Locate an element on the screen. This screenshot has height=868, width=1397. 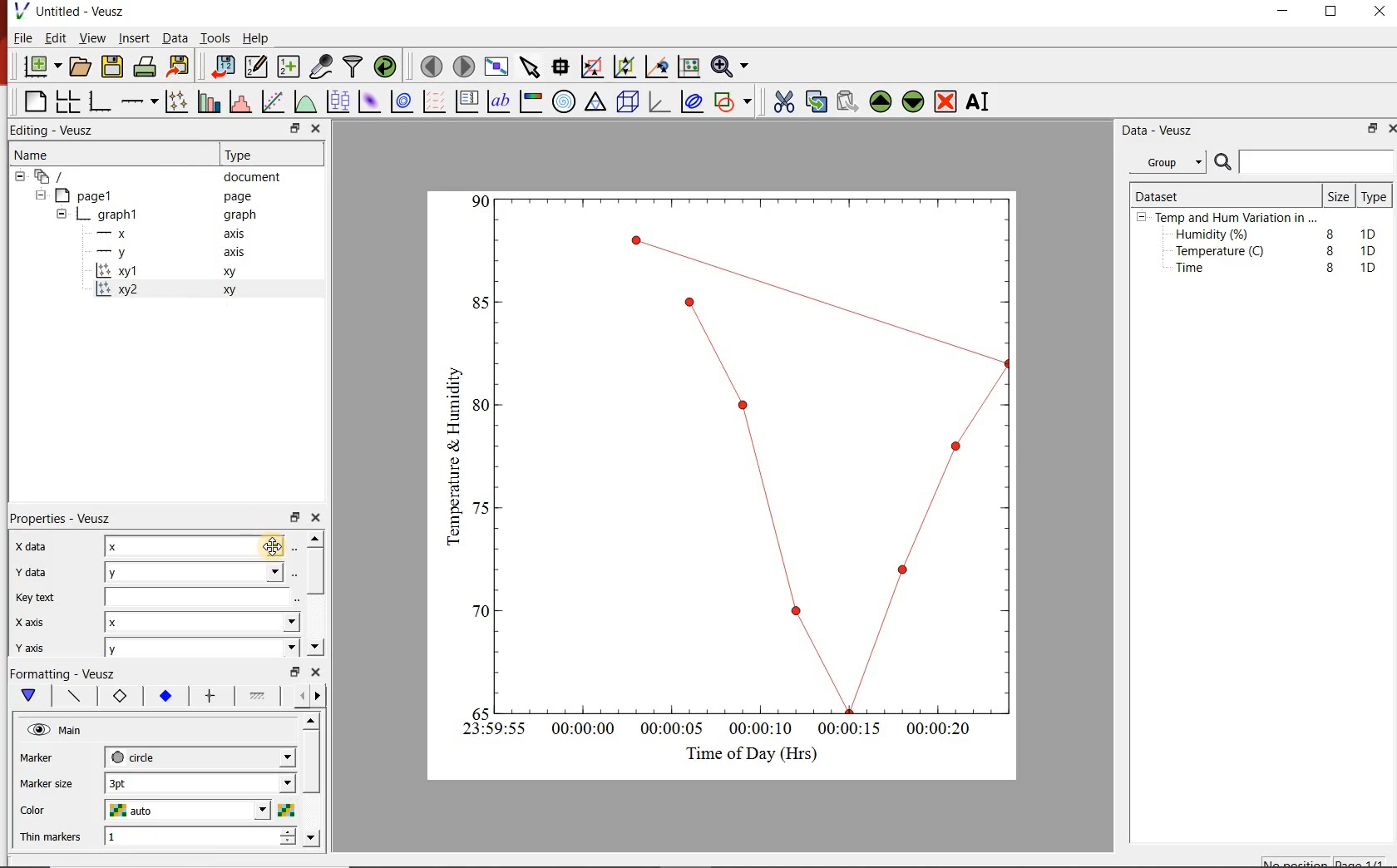
hide sub menu is located at coordinates (43, 197).